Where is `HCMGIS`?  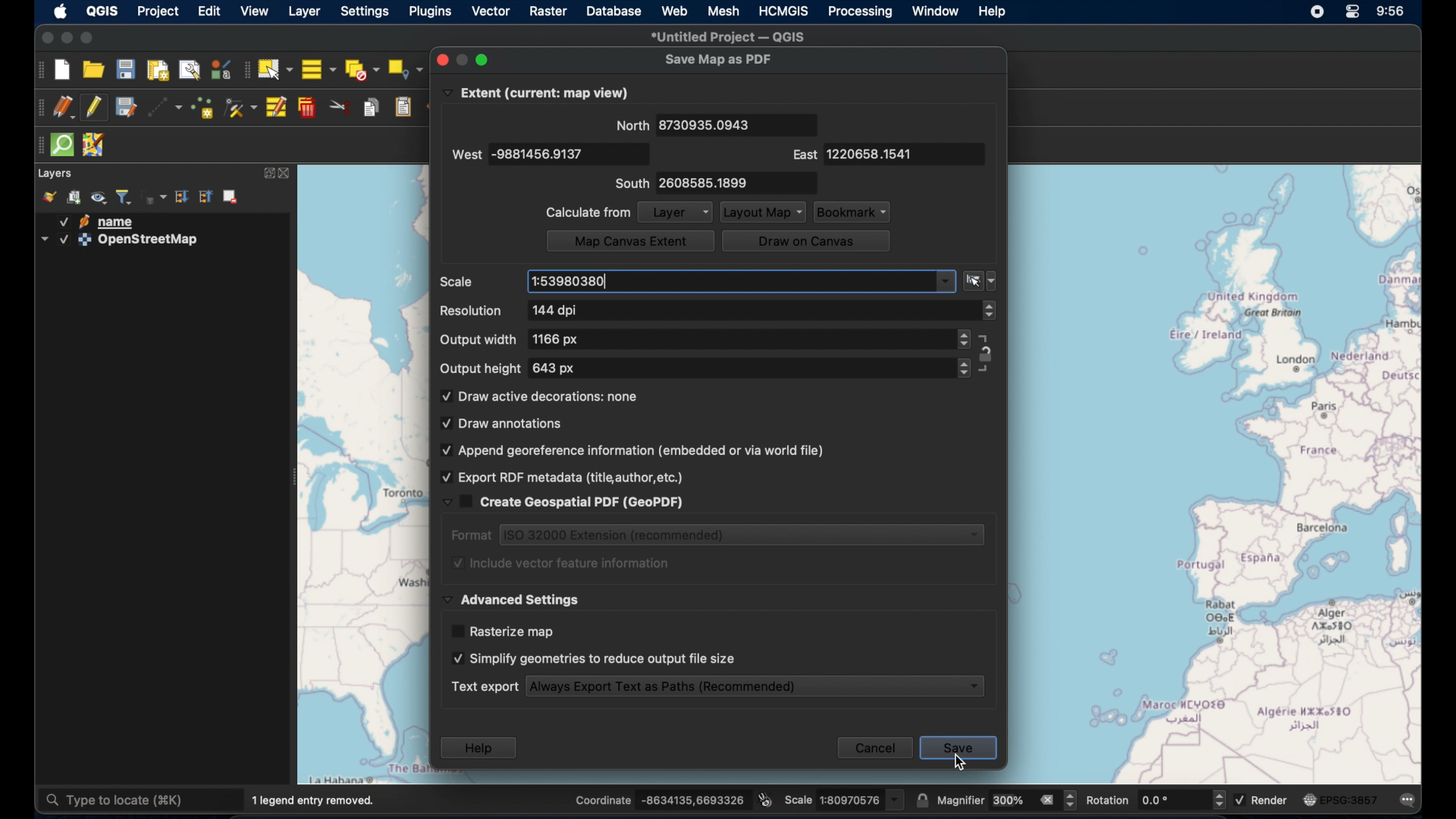 HCMGIS is located at coordinates (783, 11).